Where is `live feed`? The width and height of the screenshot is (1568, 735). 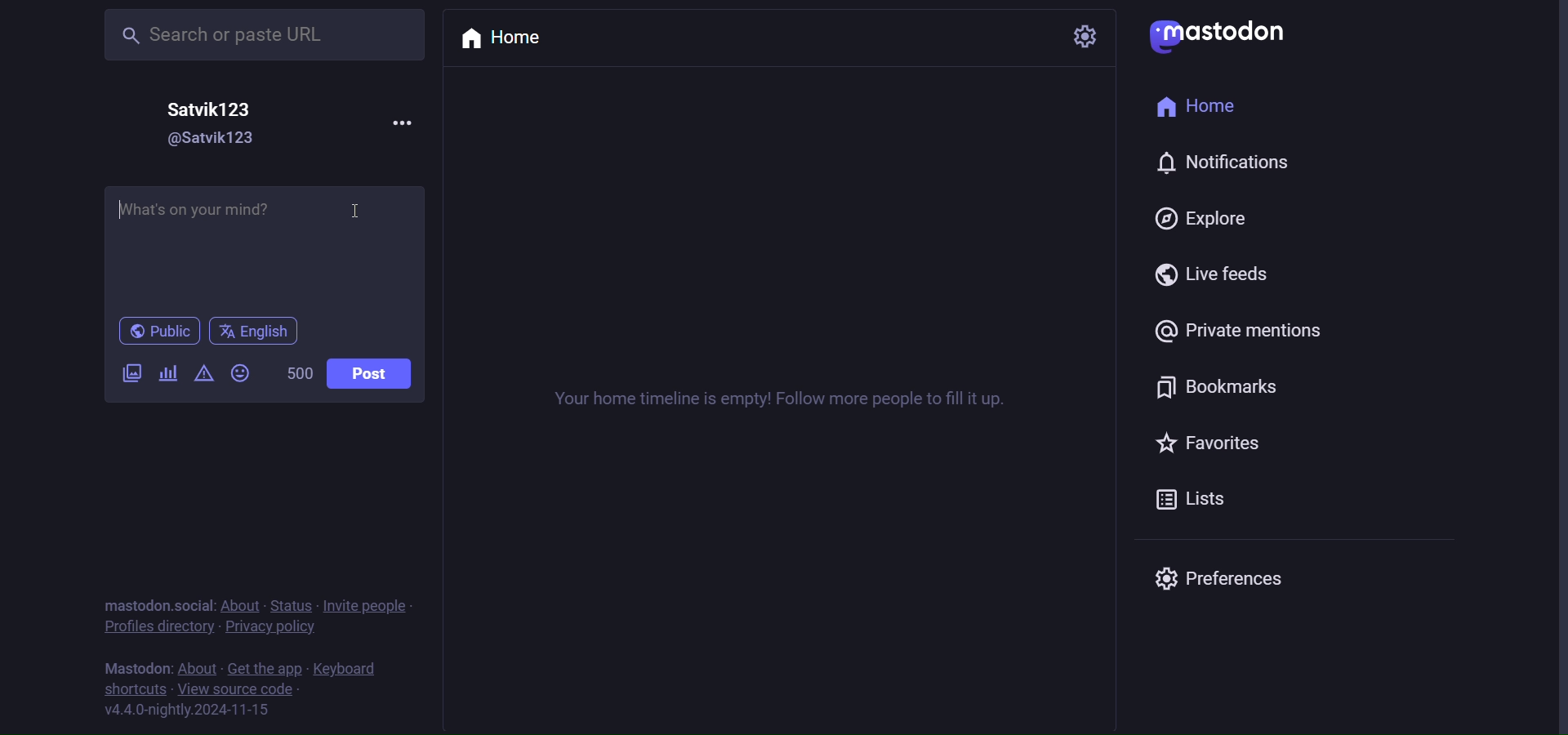 live feed is located at coordinates (1219, 276).